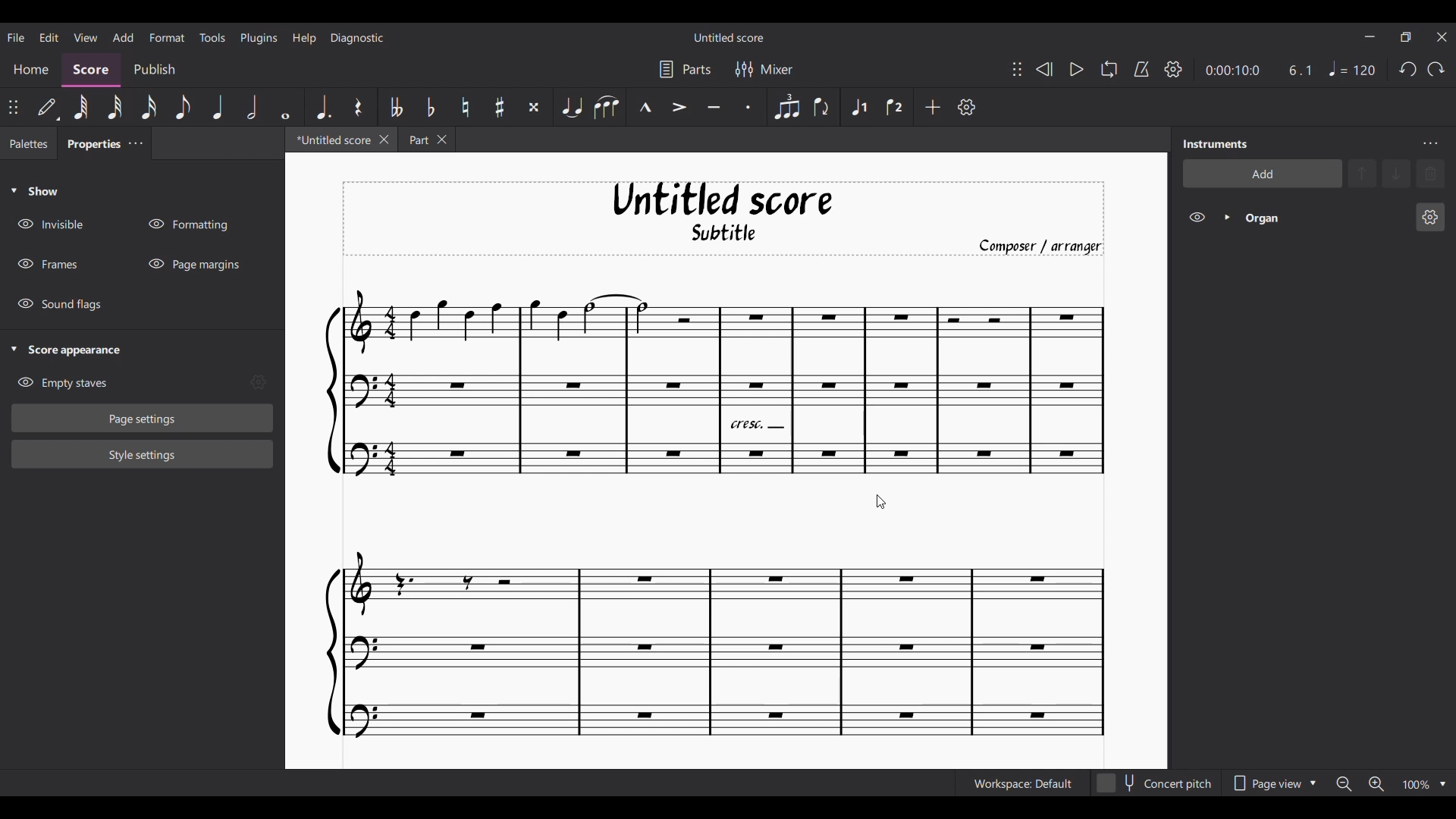  Describe the element at coordinates (48, 107) in the screenshot. I see `Default` at that location.